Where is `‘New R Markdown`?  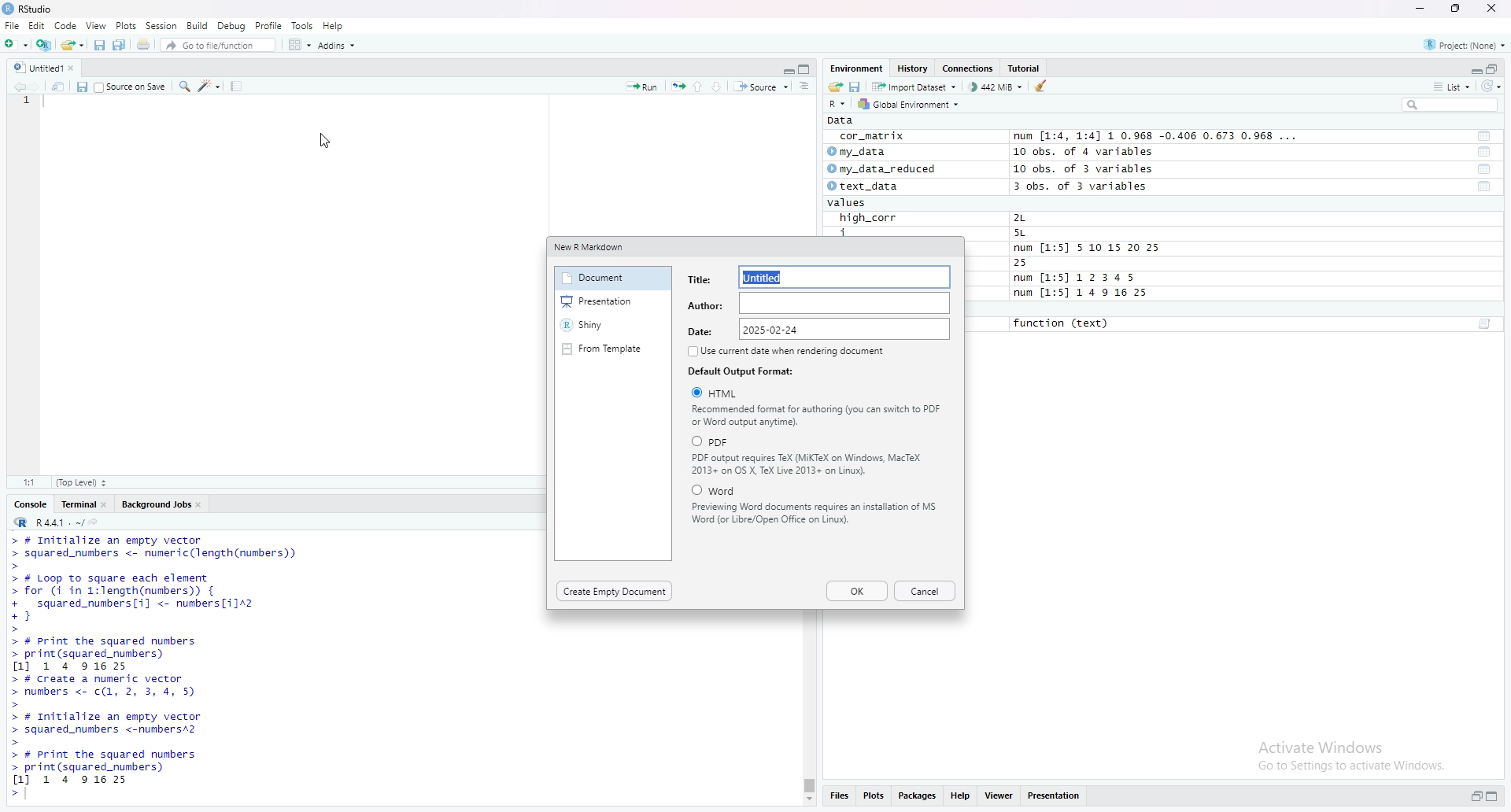
‘New R Markdown is located at coordinates (589, 248).